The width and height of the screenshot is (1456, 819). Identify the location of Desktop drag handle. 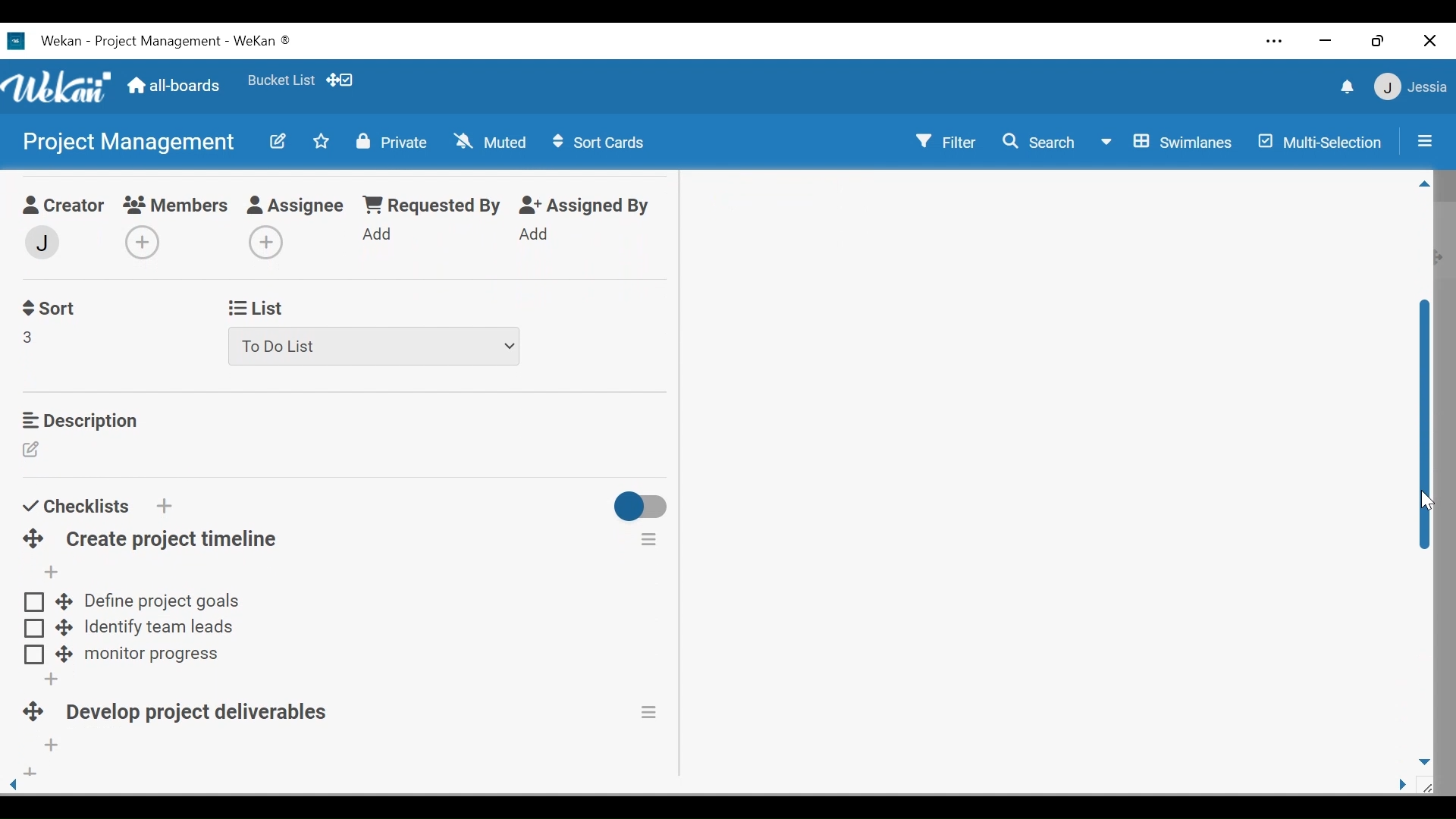
(63, 601).